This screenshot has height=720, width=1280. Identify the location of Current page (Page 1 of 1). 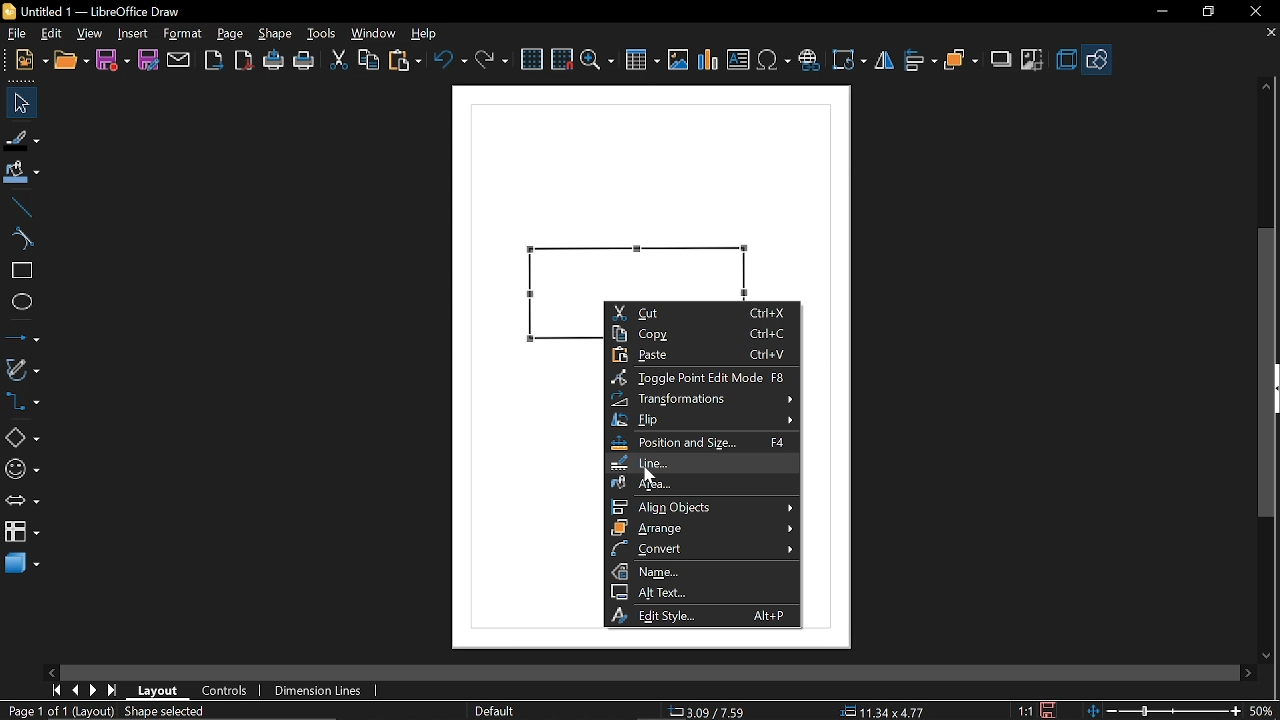
(34, 710).